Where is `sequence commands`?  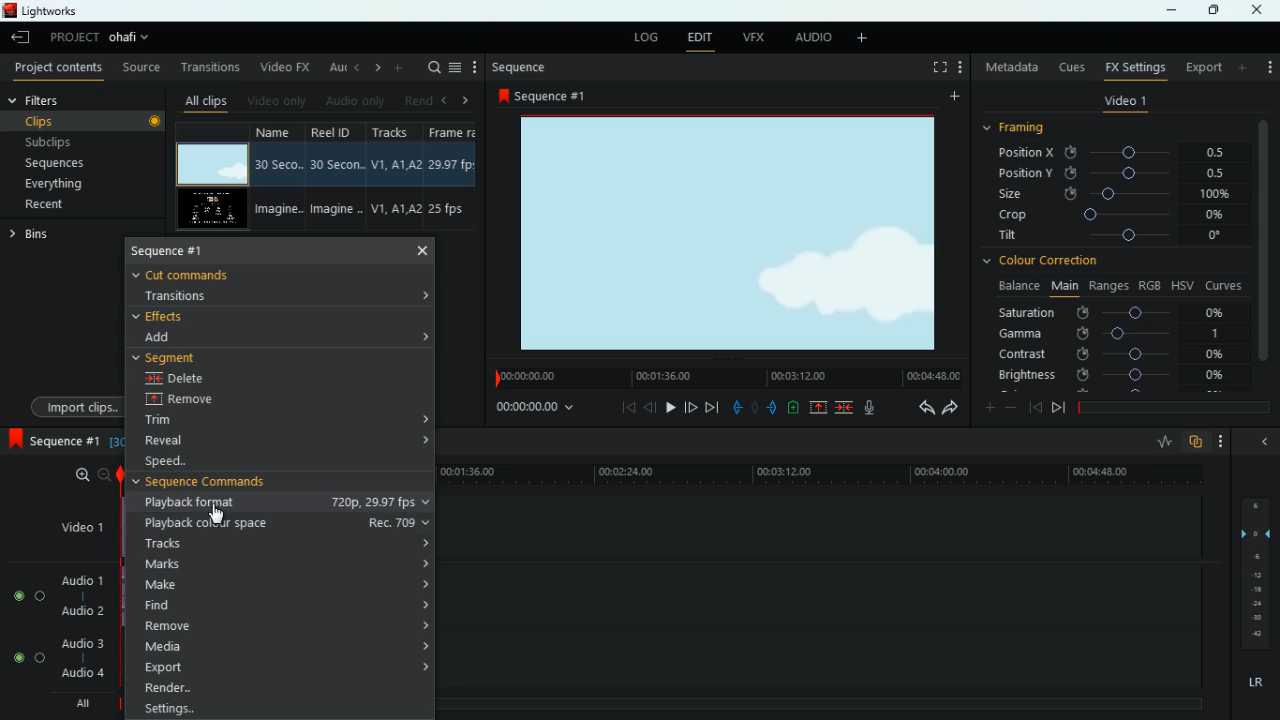 sequence commands is located at coordinates (226, 482).